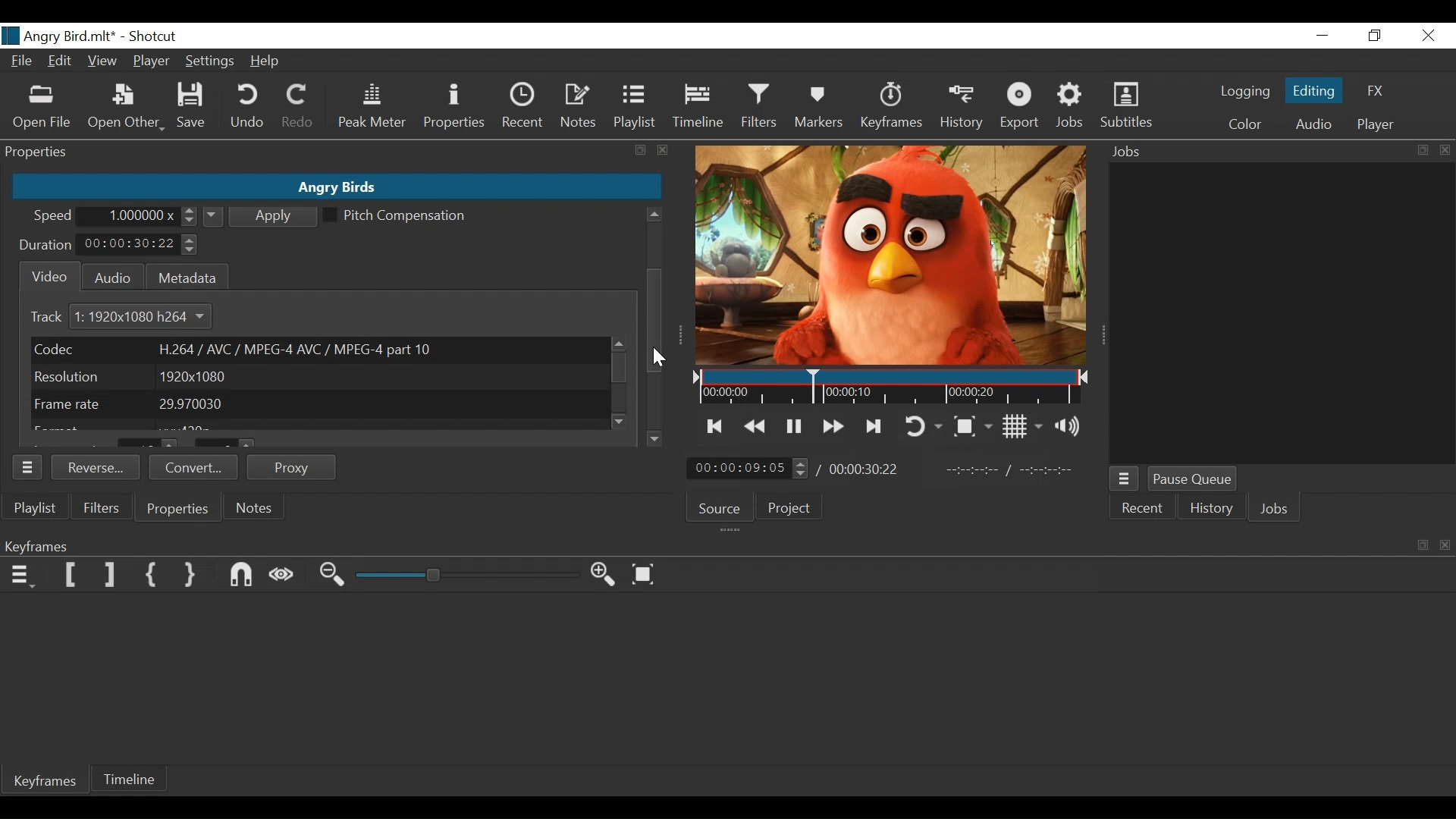  What do you see at coordinates (139, 244) in the screenshot?
I see `Duration Field` at bounding box center [139, 244].